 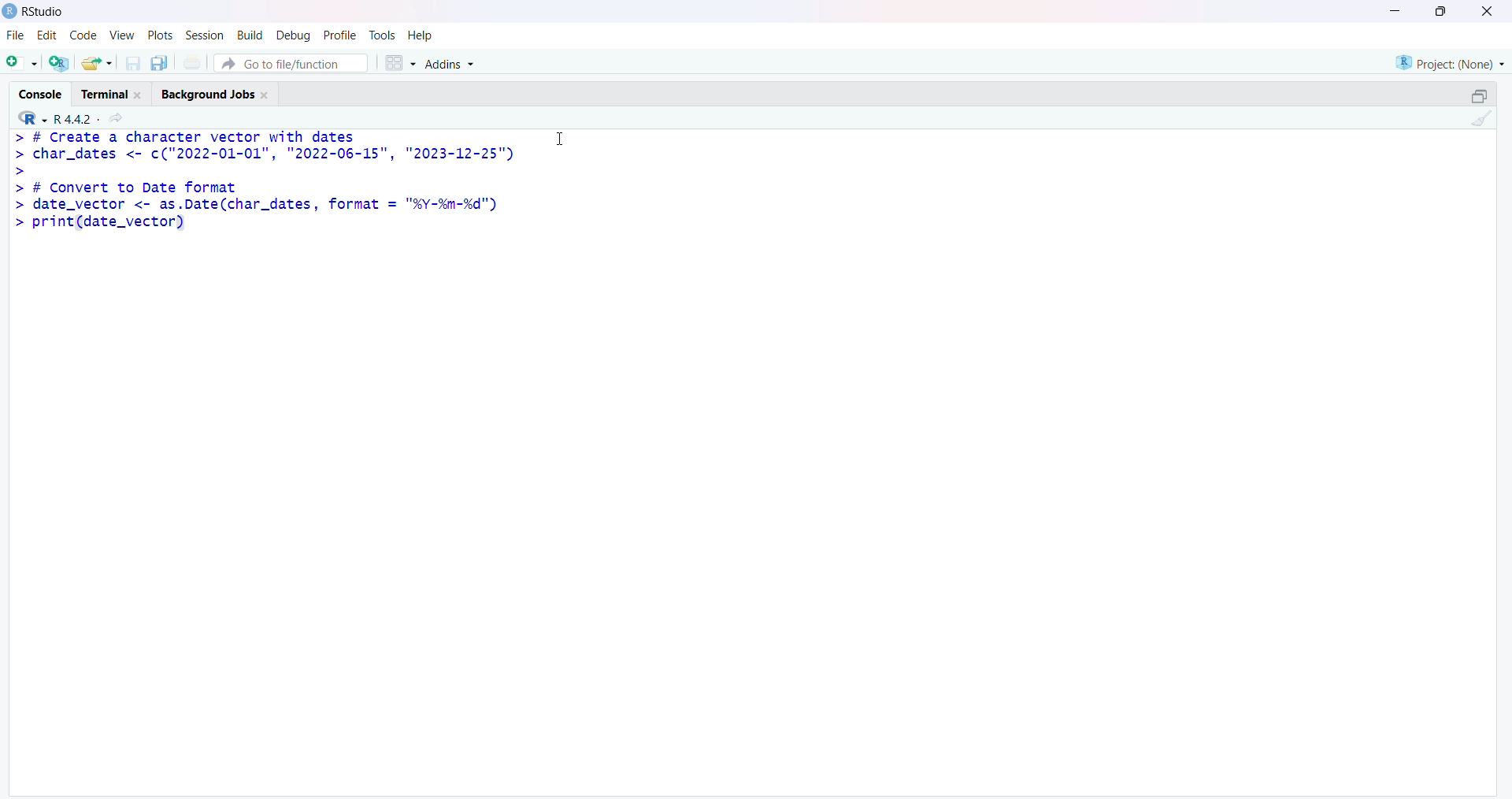 I want to click on Clear console (Ctrl +L), so click(x=1478, y=122).